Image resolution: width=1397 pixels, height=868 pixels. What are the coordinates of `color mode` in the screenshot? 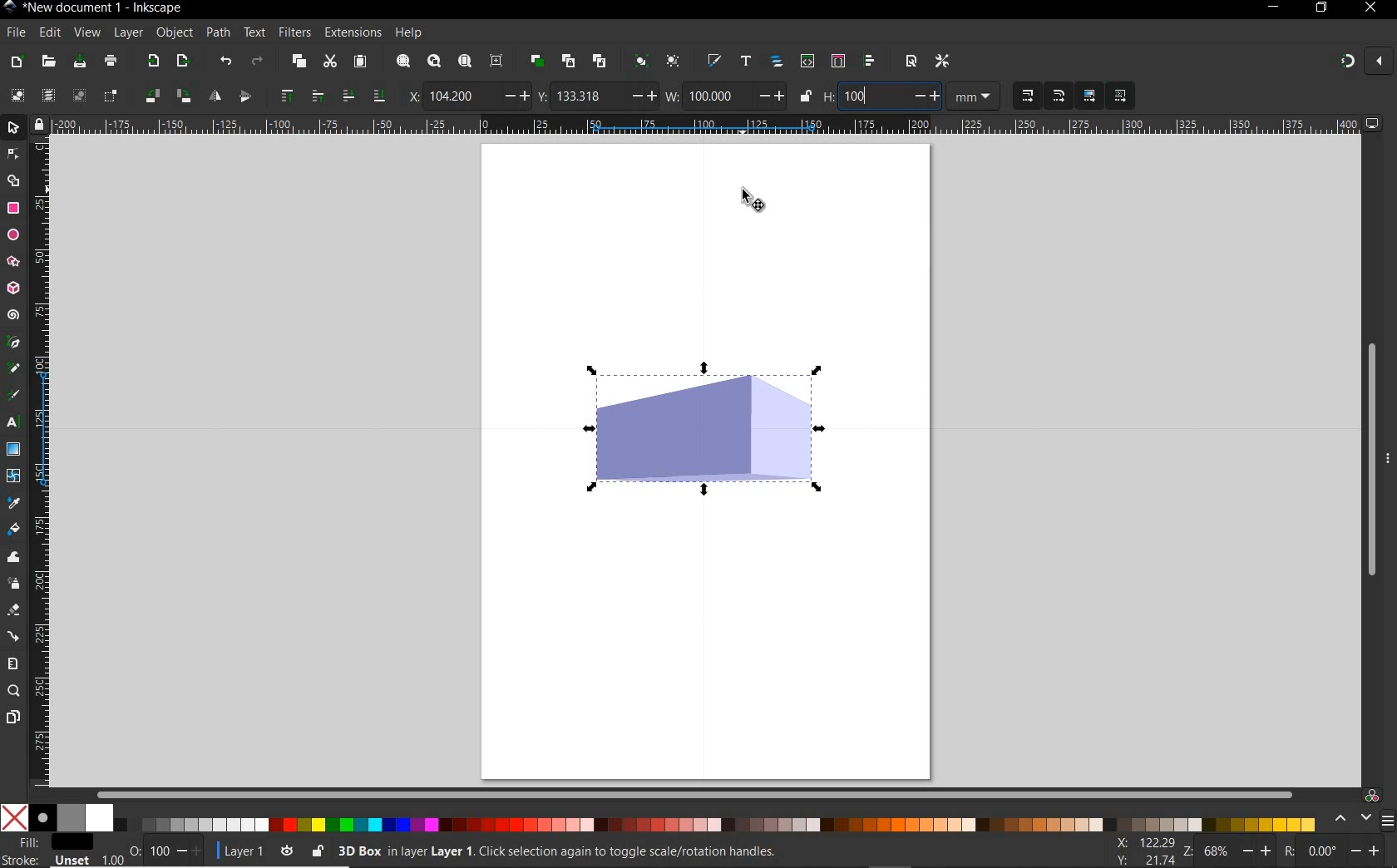 It's located at (662, 817).